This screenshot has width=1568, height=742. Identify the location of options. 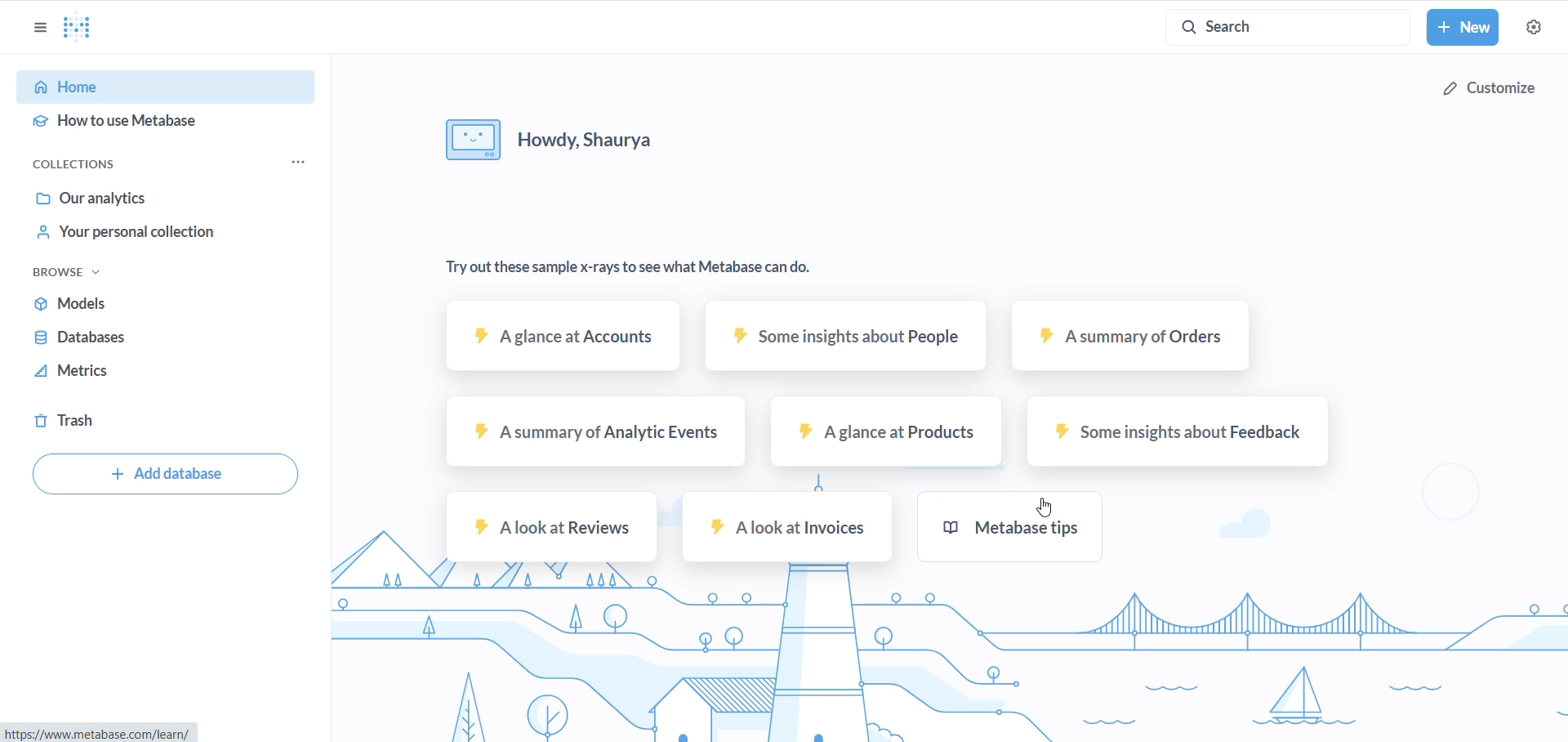
(40, 28).